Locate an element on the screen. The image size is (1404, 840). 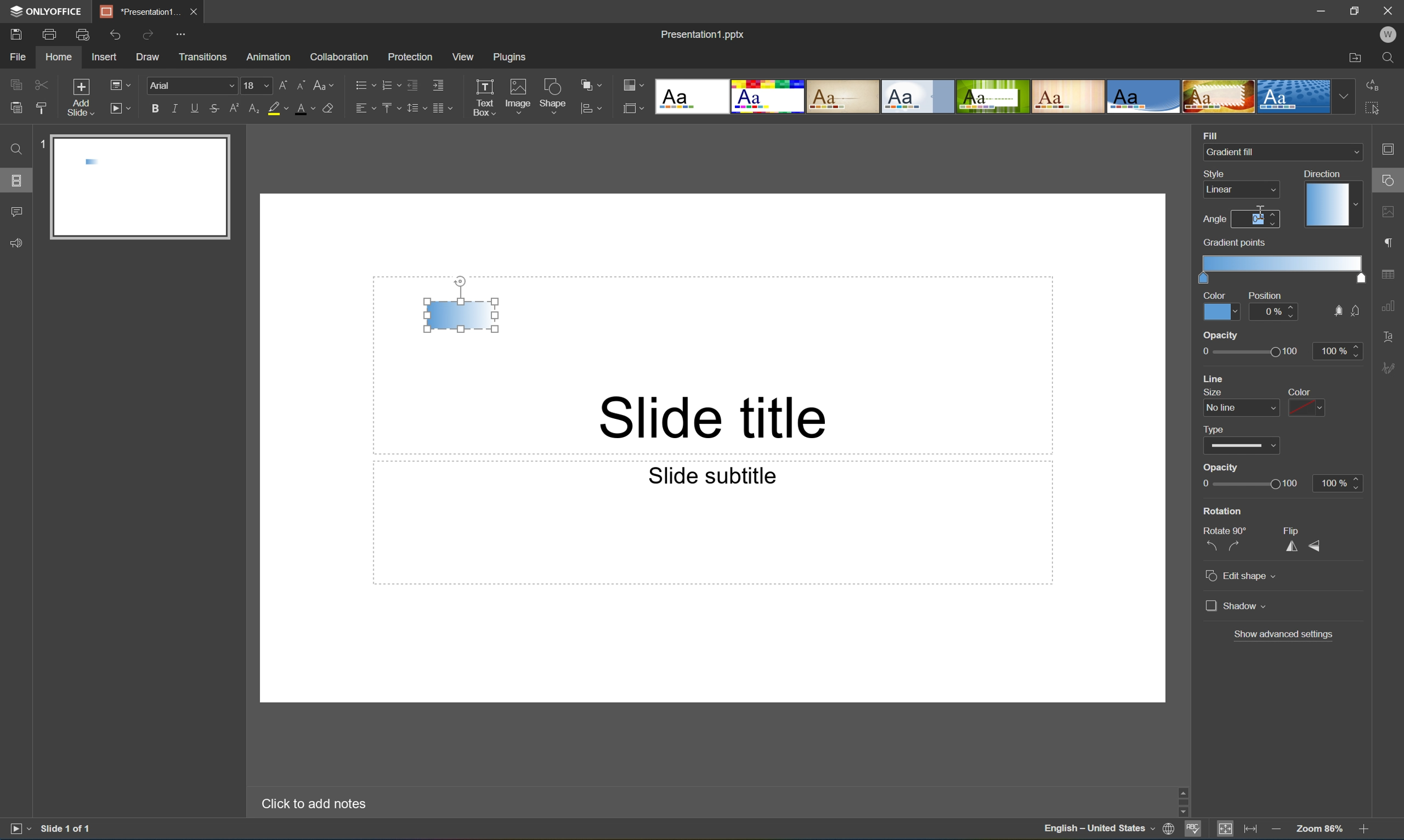
Text Art settings is located at coordinates (1389, 336).